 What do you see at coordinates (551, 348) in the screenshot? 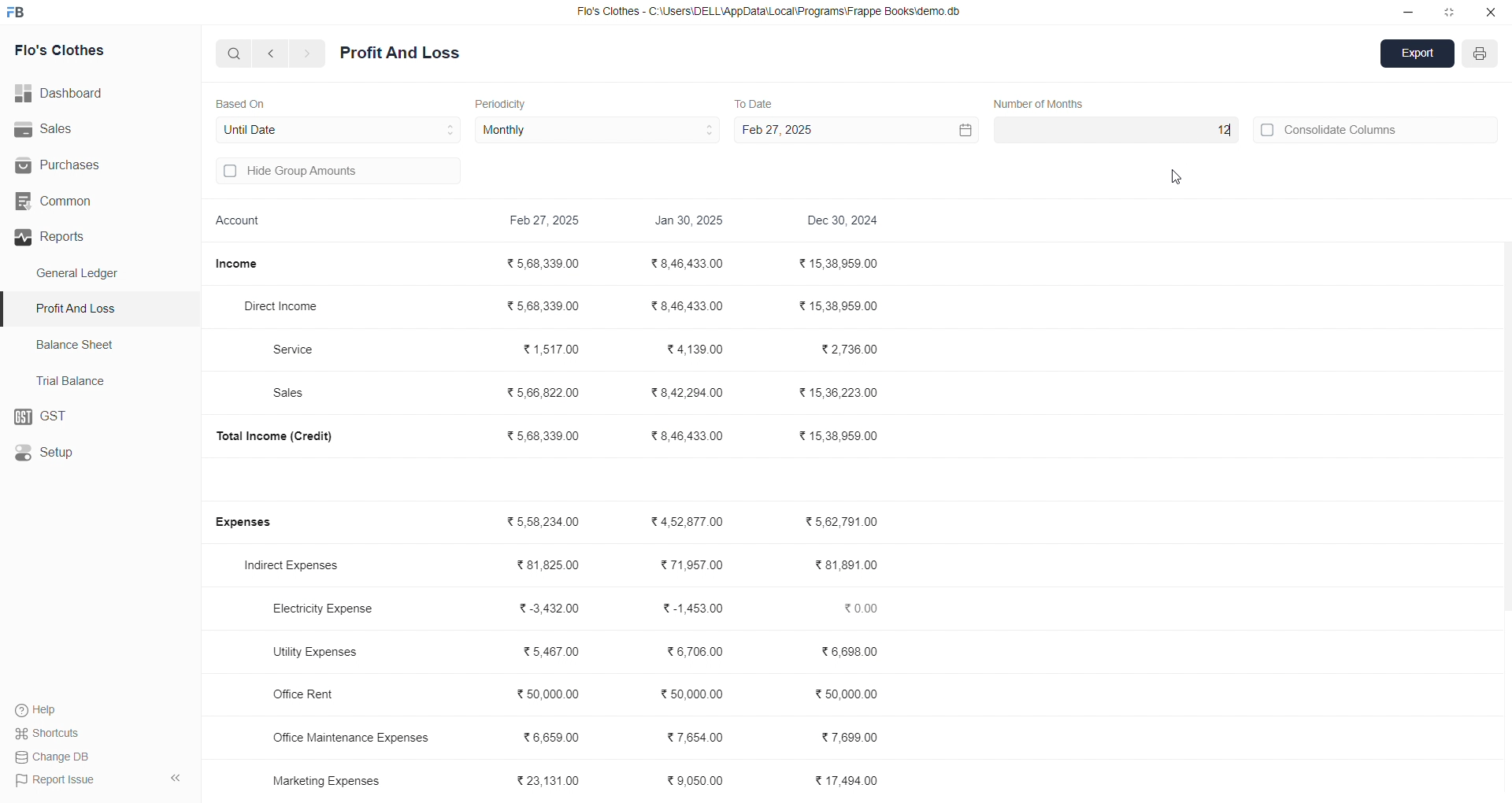
I see `₹ 1,517.00` at bounding box center [551, 348].